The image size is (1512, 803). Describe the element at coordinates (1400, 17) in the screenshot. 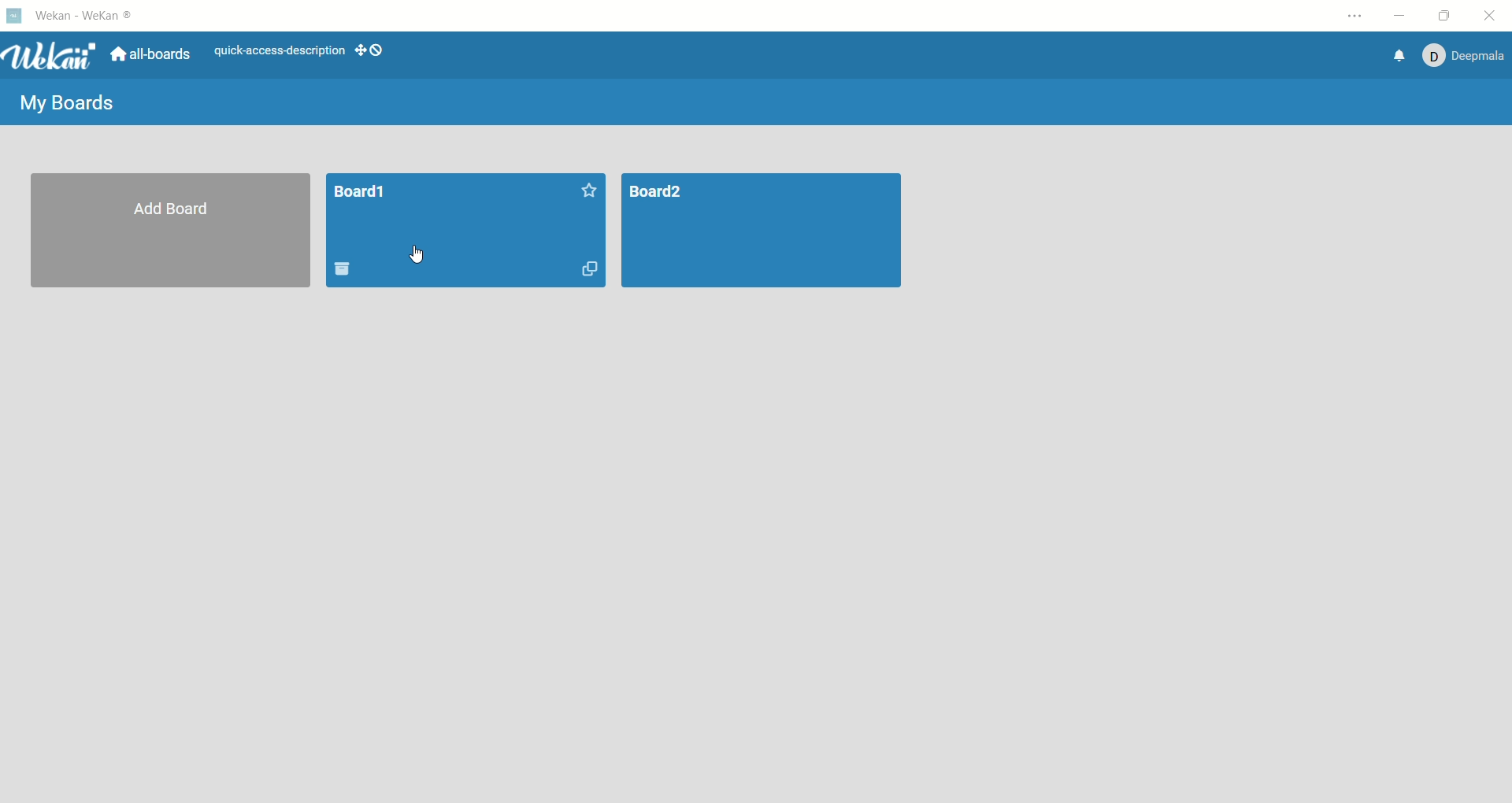

I see `minimize` at that location.